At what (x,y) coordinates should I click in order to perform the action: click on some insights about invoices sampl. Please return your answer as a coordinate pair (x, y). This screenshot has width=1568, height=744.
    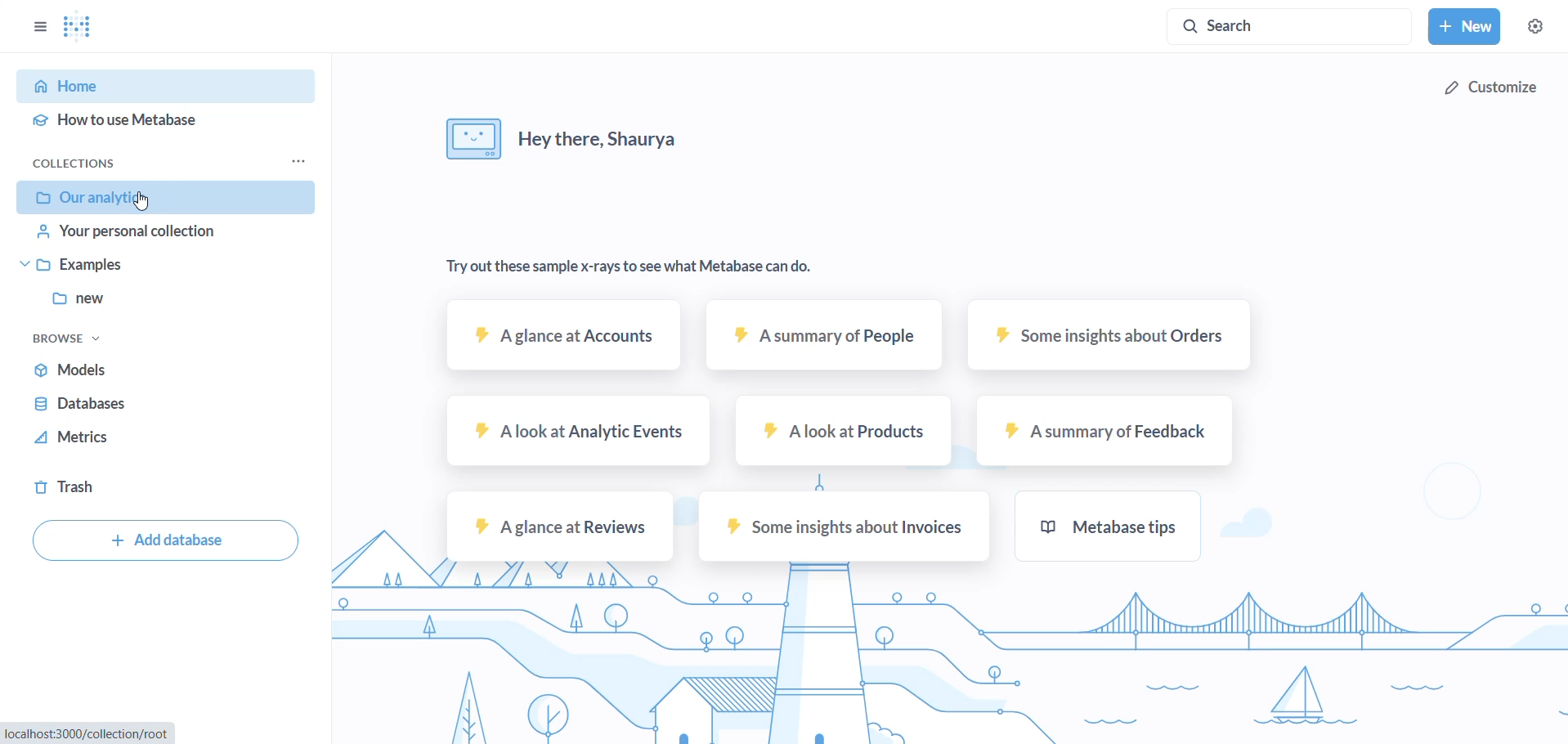
    Looking at the image, I should click on (844, 530).